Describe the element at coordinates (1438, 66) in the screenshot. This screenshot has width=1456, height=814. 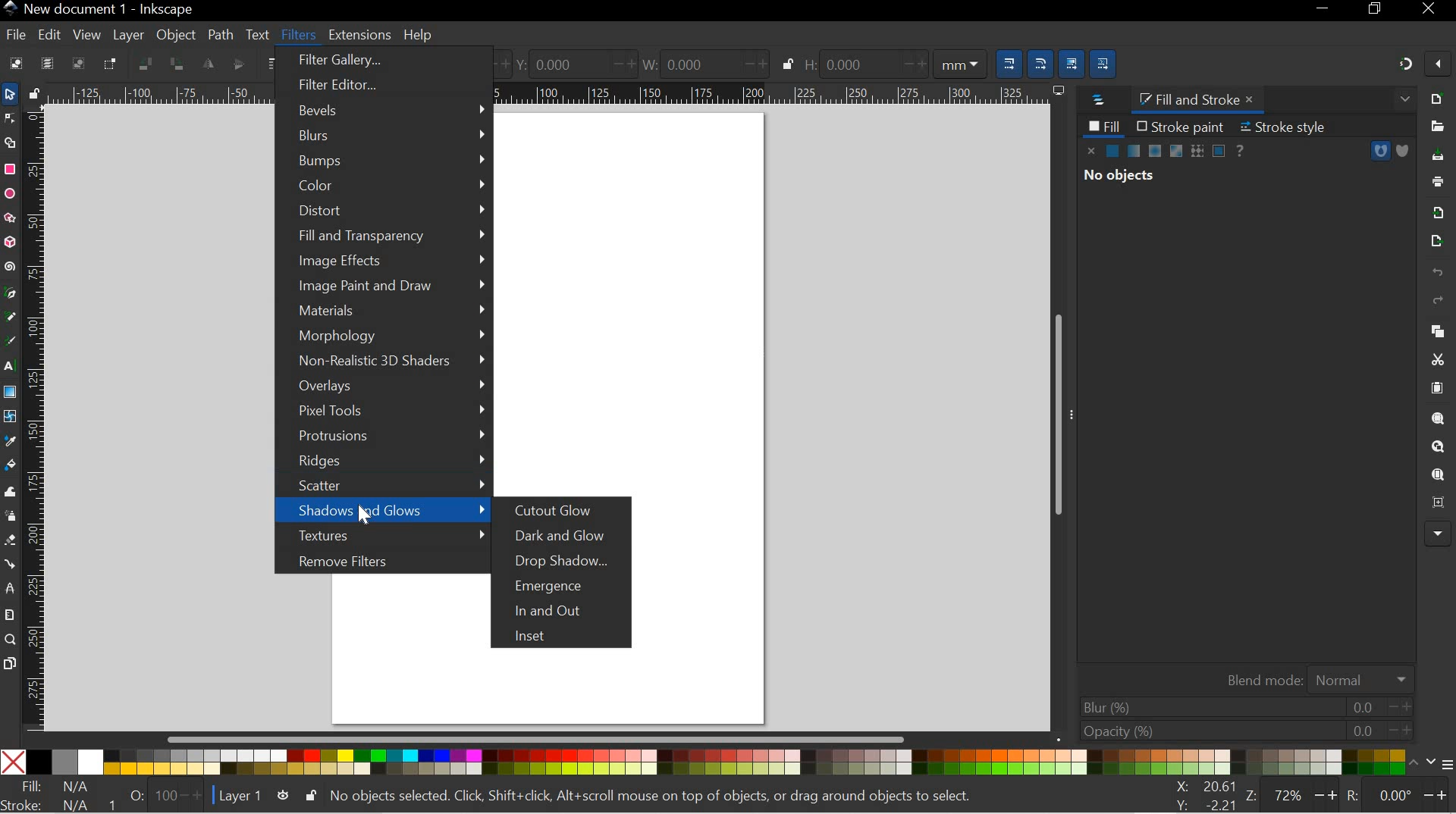
I see `ENABLE SNAPPING` at that location.